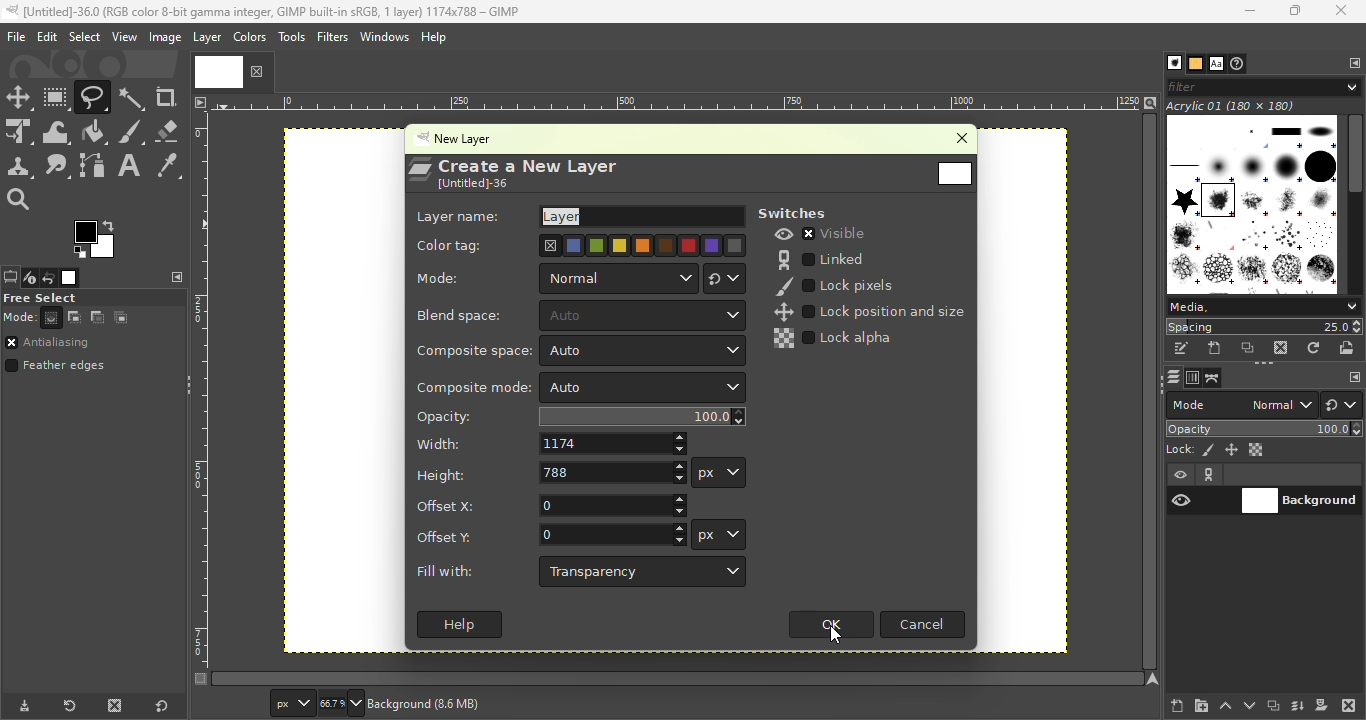  I want to click on Antialiasing, so click(60, 343).